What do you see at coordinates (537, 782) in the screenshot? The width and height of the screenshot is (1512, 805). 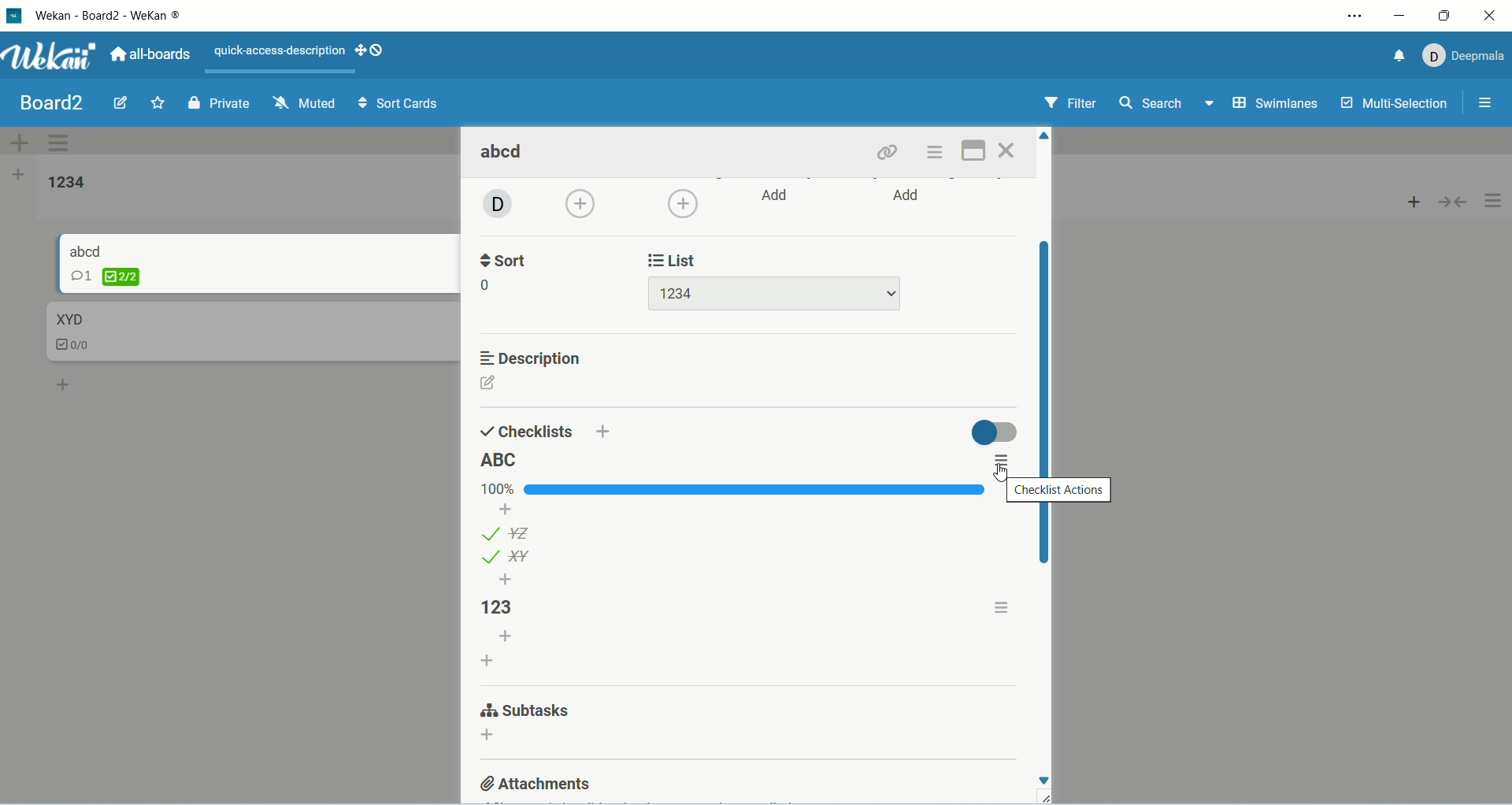 I see `attachments` at bounding box center [537, 782].